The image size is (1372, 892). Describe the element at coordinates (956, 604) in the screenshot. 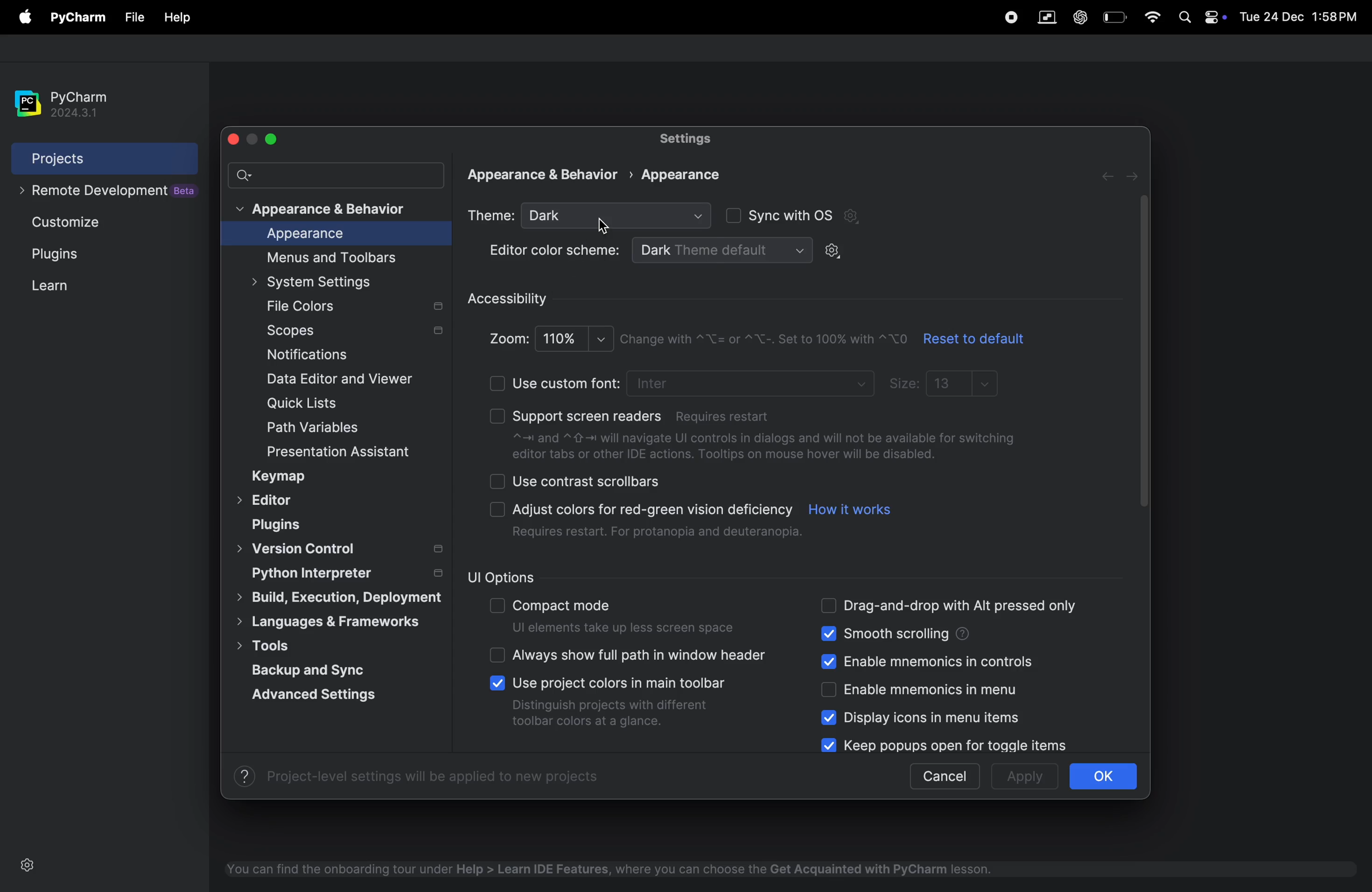

I see `drag and drop alt pressed only` at that location.